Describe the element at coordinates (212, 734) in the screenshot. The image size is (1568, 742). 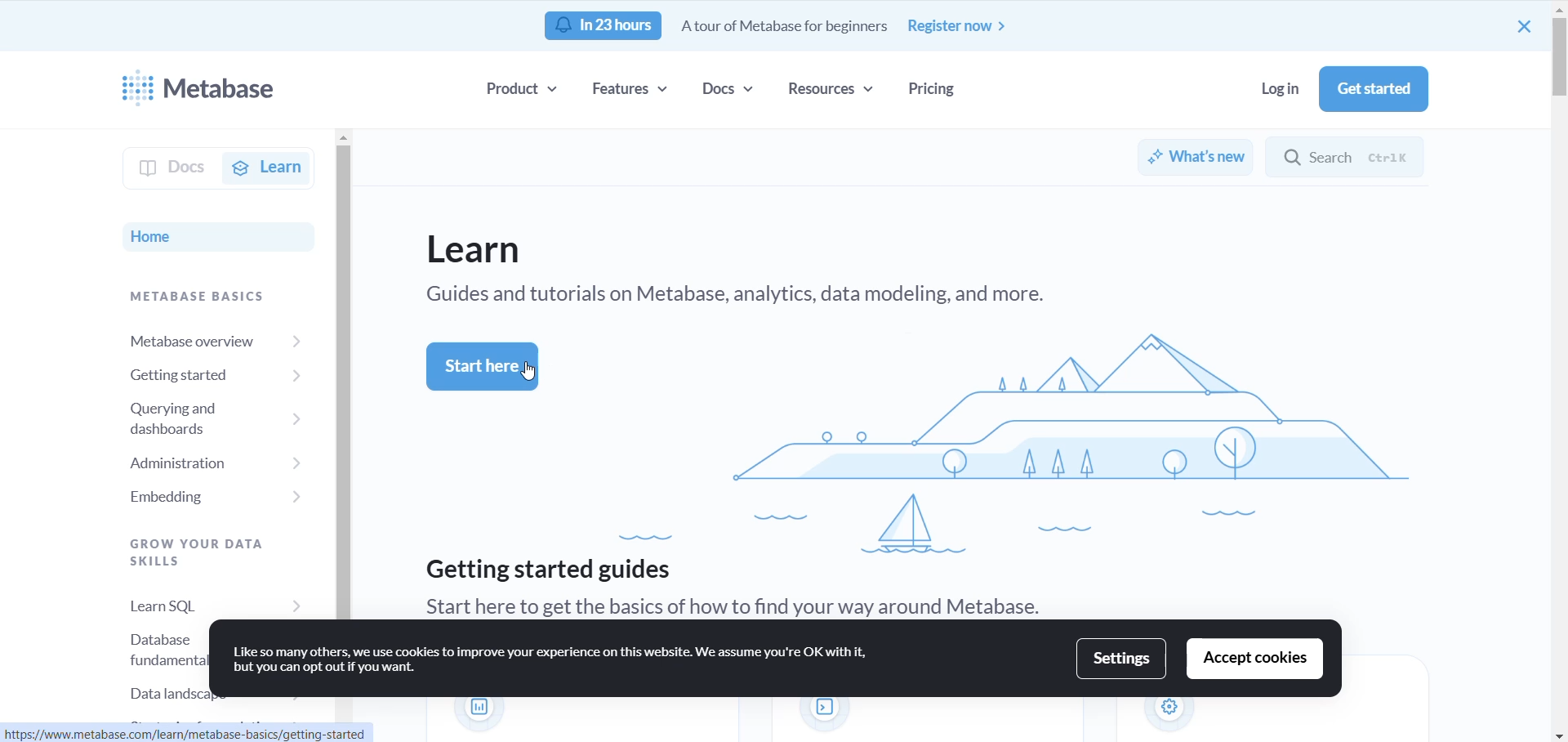
I see `URL` at that location.